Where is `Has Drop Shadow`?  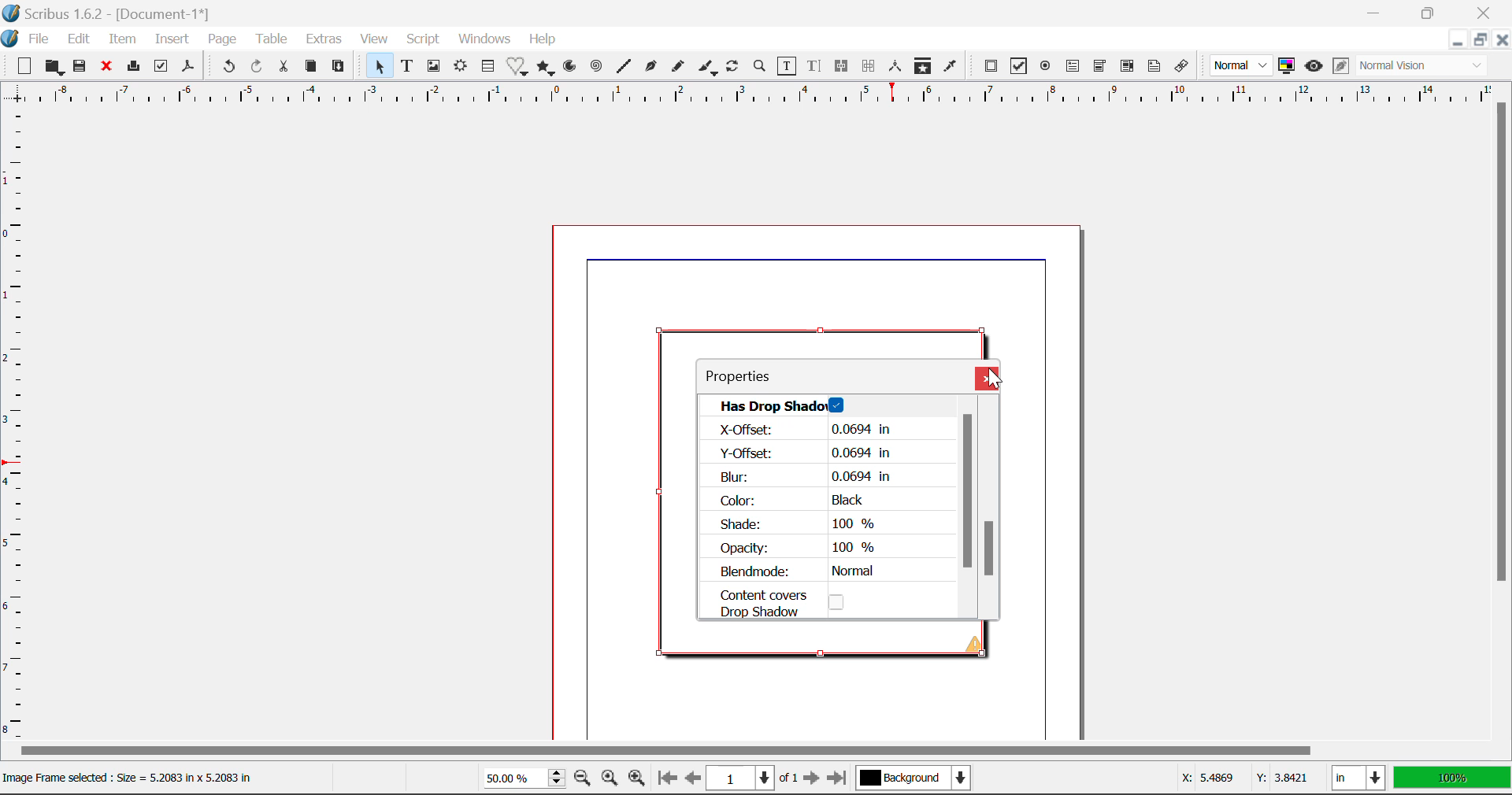 Has Drop Shadow is located at coordinates (830, 406).